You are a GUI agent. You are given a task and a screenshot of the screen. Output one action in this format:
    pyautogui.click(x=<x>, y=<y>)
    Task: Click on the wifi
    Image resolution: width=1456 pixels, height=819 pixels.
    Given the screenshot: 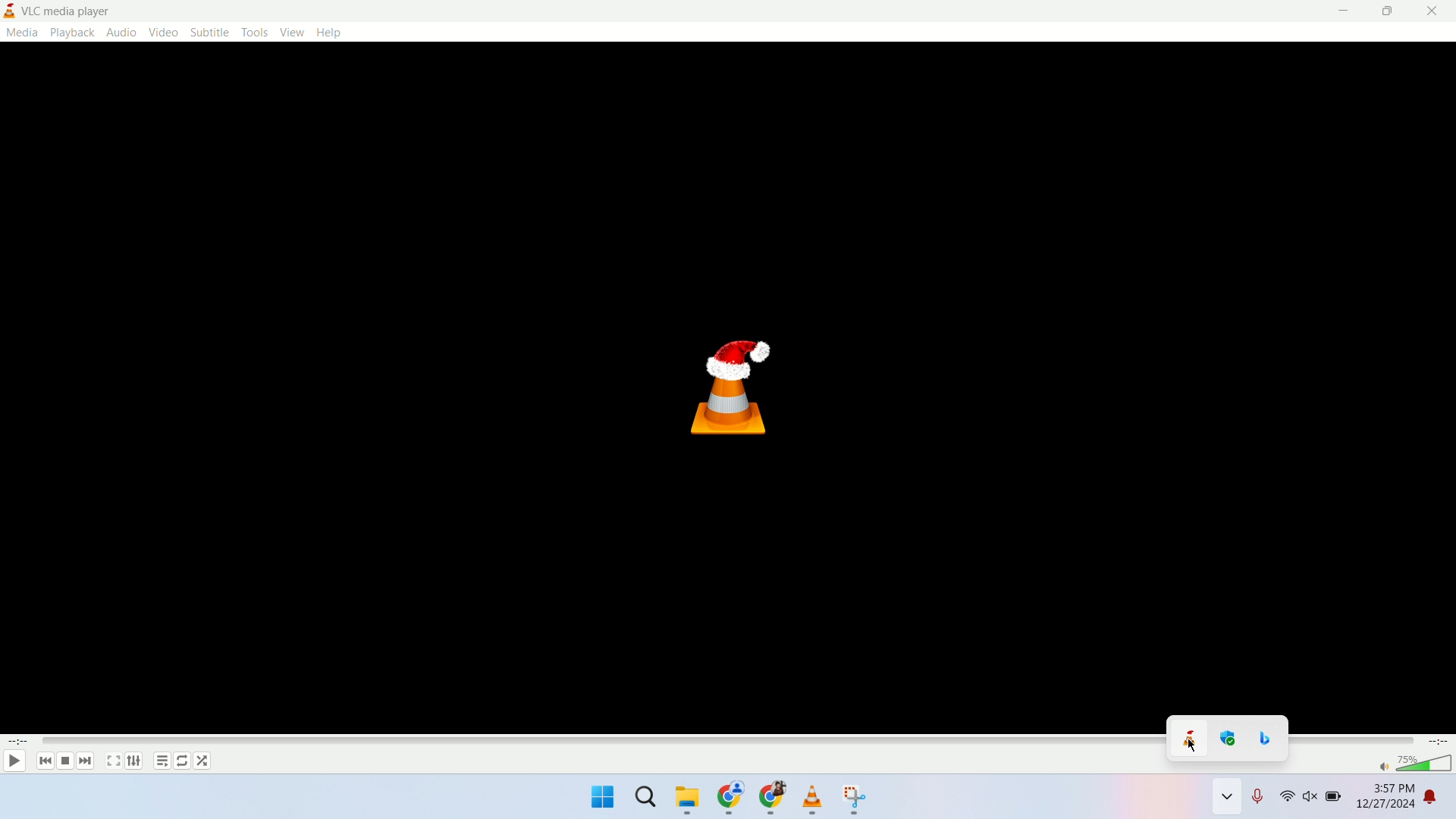 What is the action you would take?
    pyautogui.click(x=1287, y=799)
    